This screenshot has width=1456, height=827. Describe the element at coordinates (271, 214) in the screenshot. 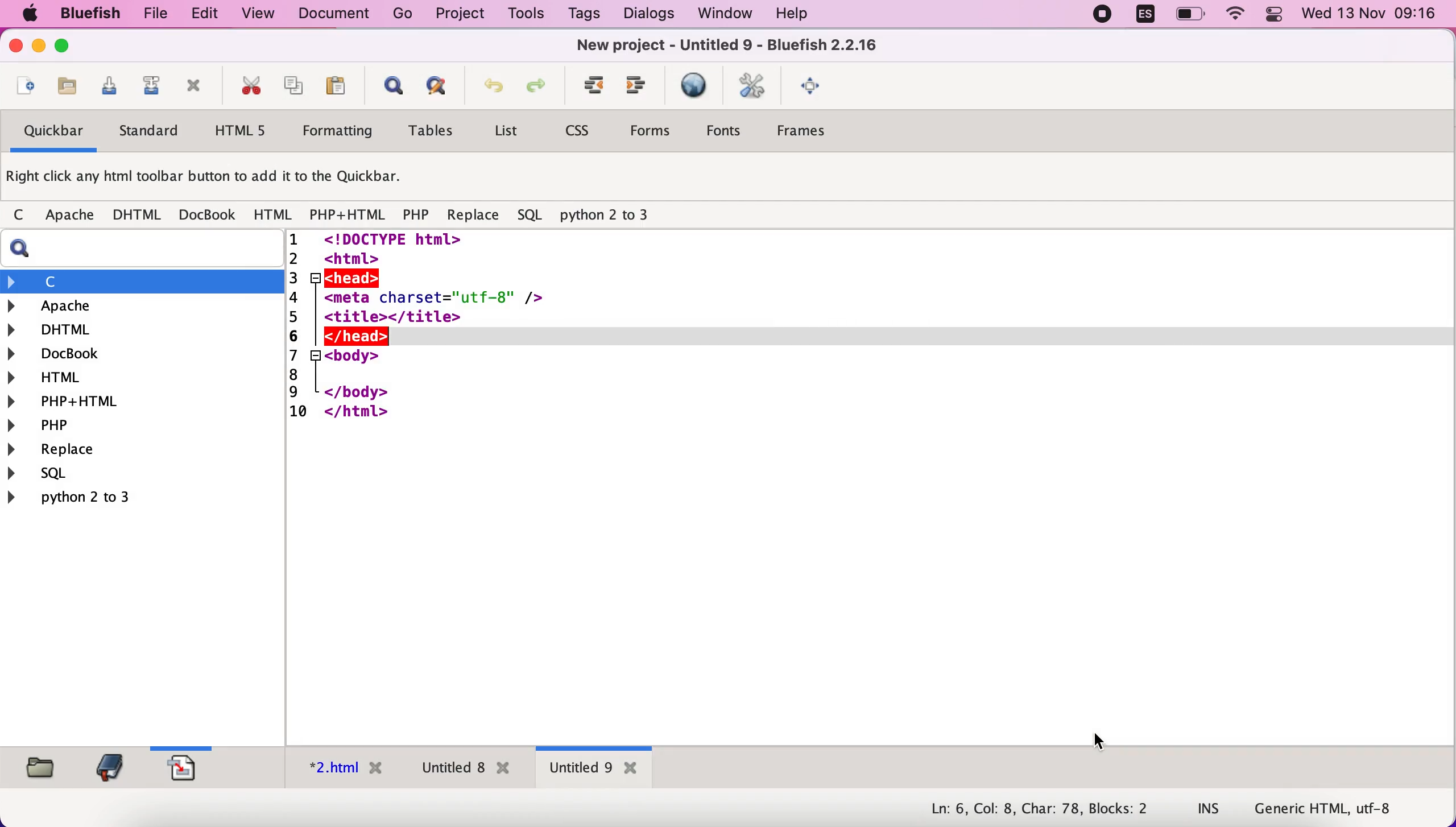

I see `html` at that location.